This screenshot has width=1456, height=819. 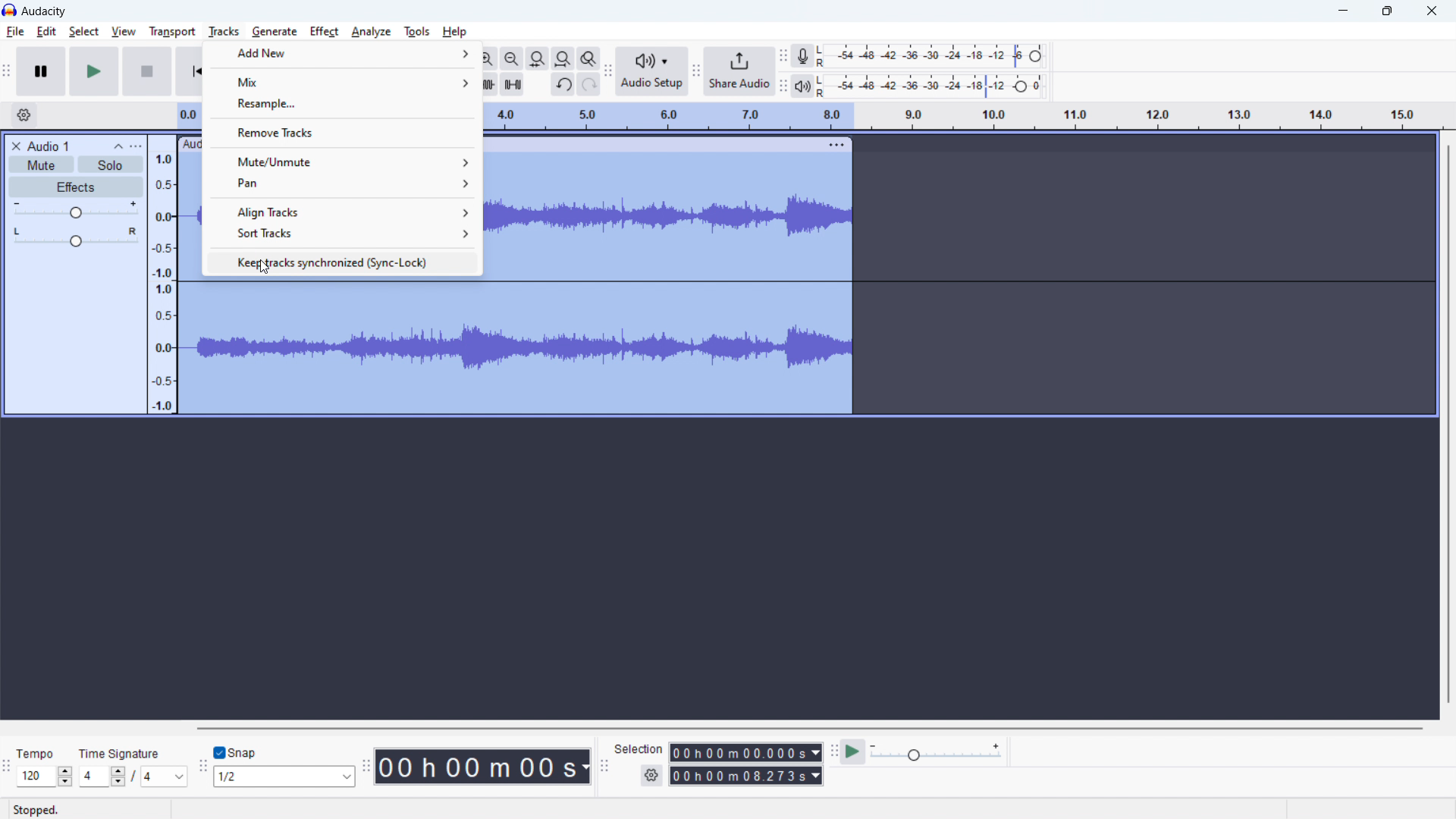 I want to click on pause, so click(x=41, y=71).